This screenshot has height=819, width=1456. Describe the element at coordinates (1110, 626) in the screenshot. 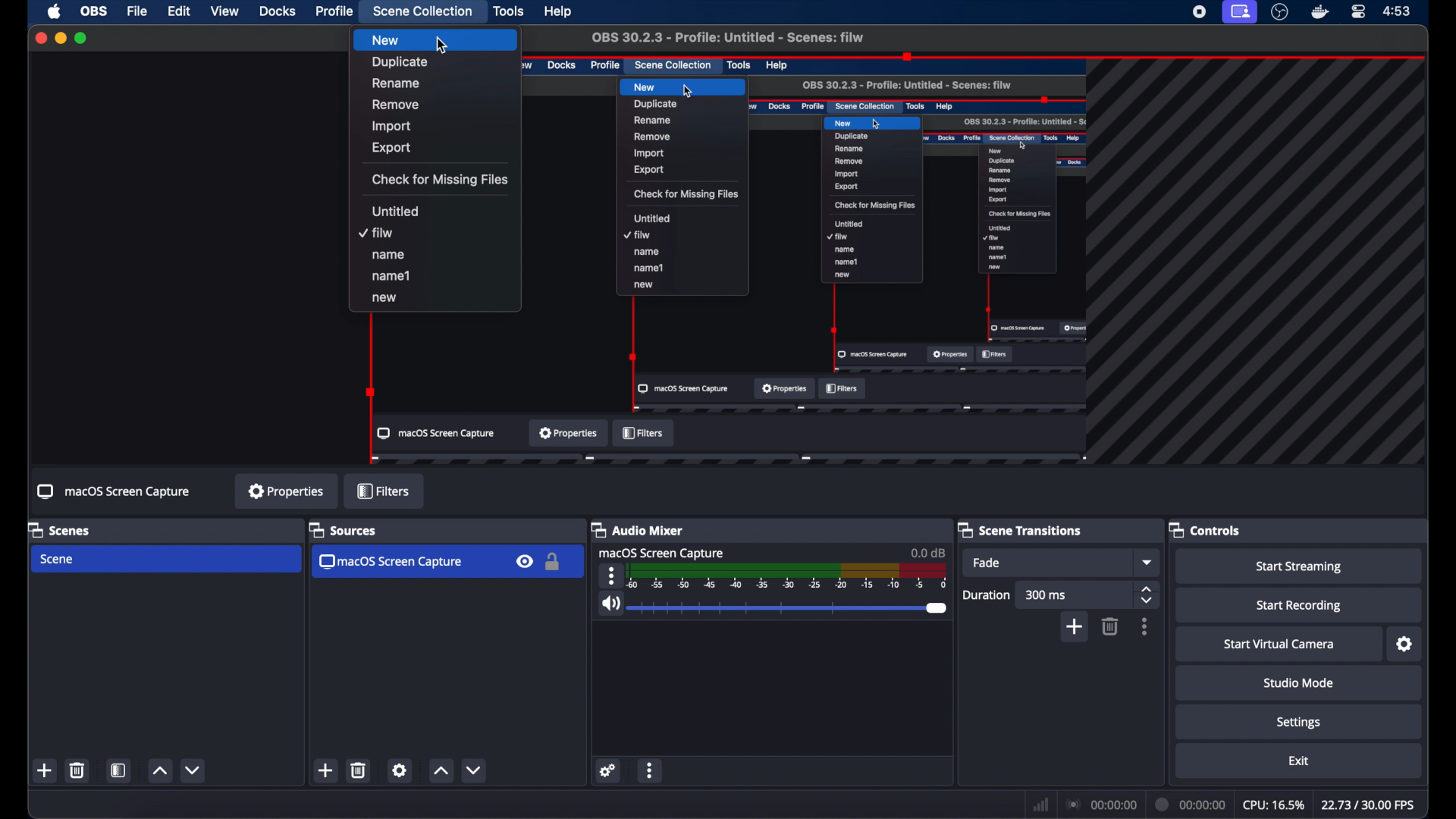

I see `trash` at that location.